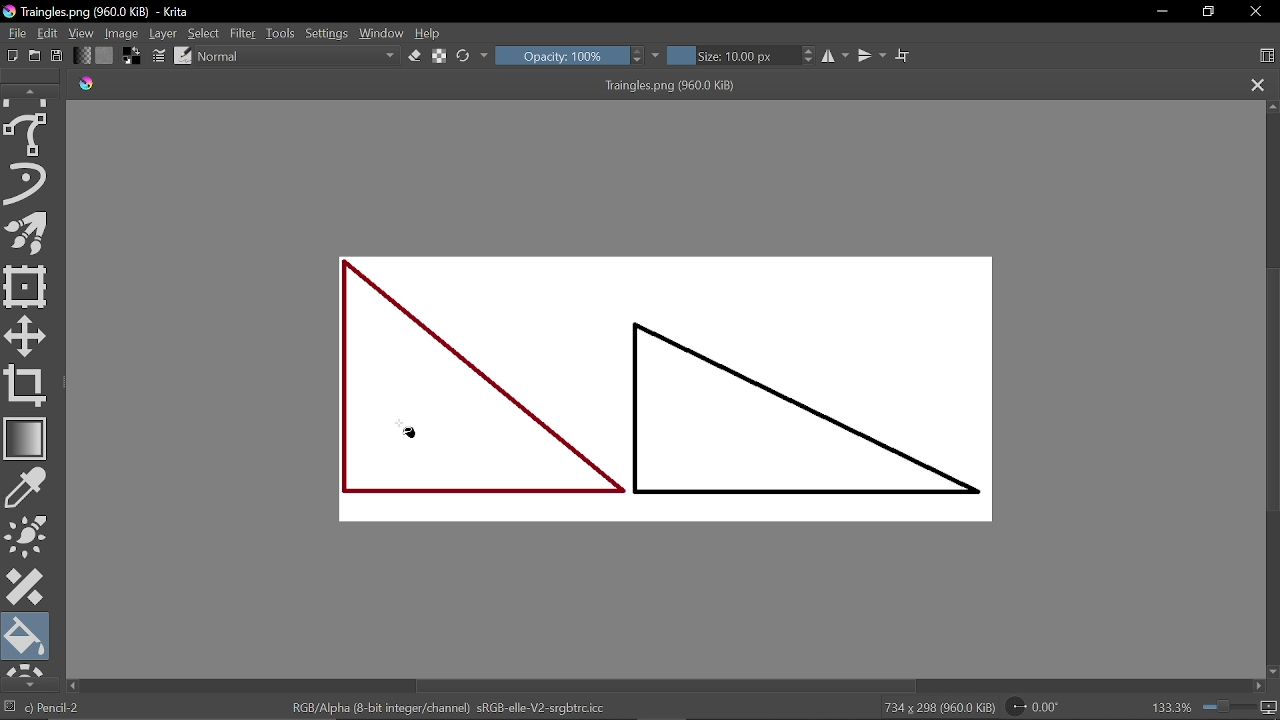 Image resolution: width=1280 pixels, height=720 pixels. What do you see at coordinates (415, 57) in the screenshot?
I see `Eraser` at bounding box center [415, 57].